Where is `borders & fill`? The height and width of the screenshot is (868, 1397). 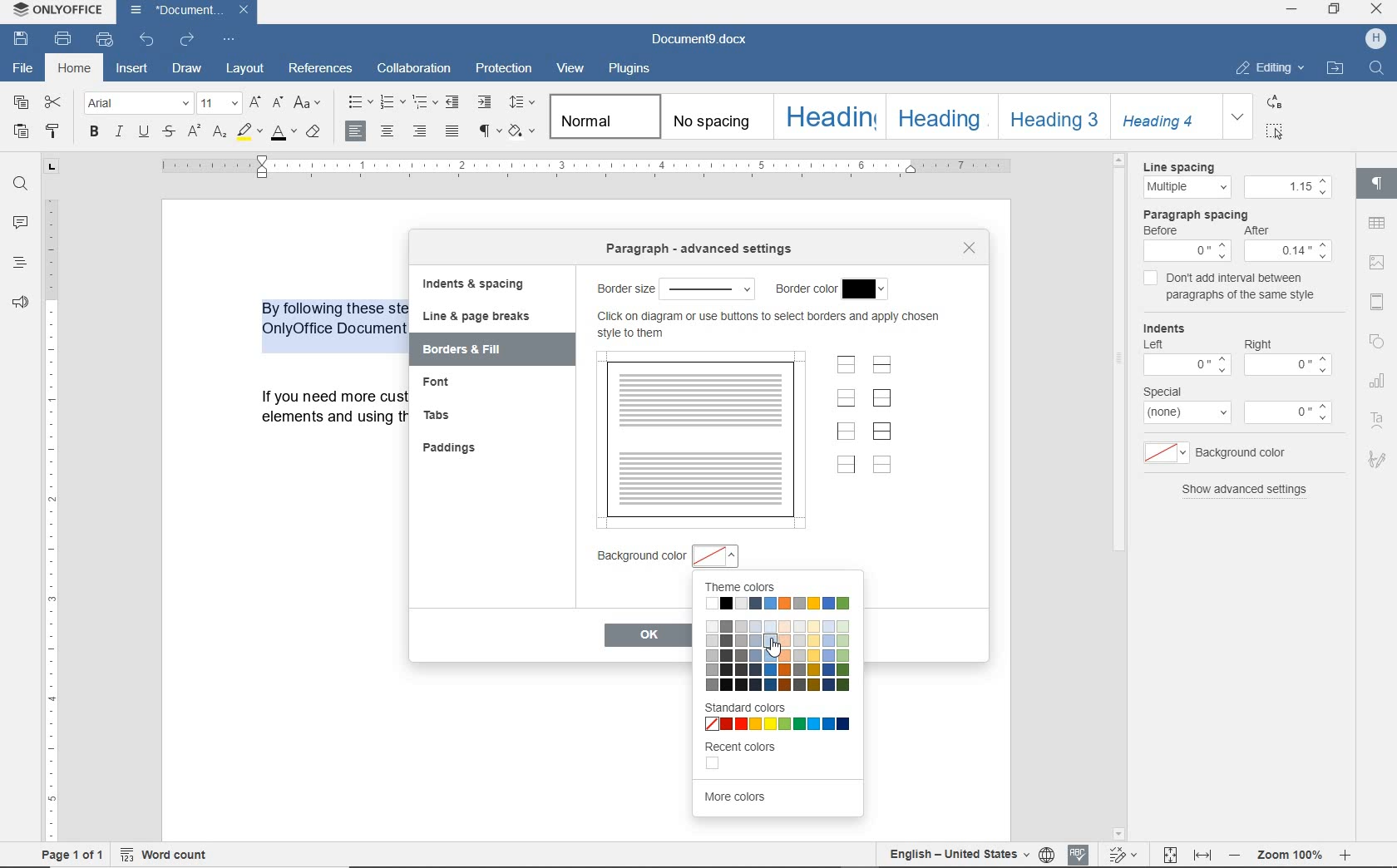
borders & fill is located at coordinates (474, 350).